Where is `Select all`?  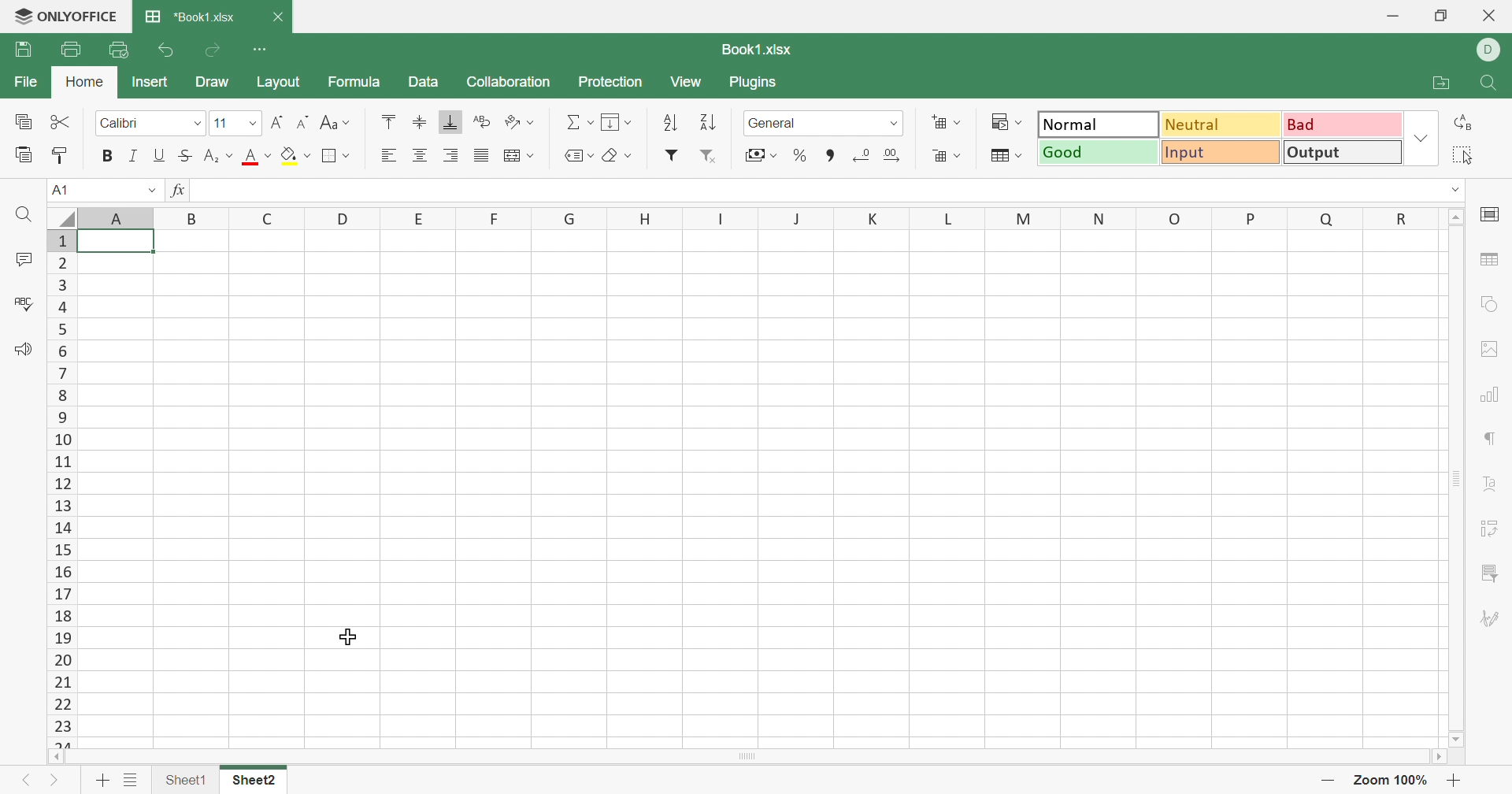
Select all is located at coordinates (1458, 157).